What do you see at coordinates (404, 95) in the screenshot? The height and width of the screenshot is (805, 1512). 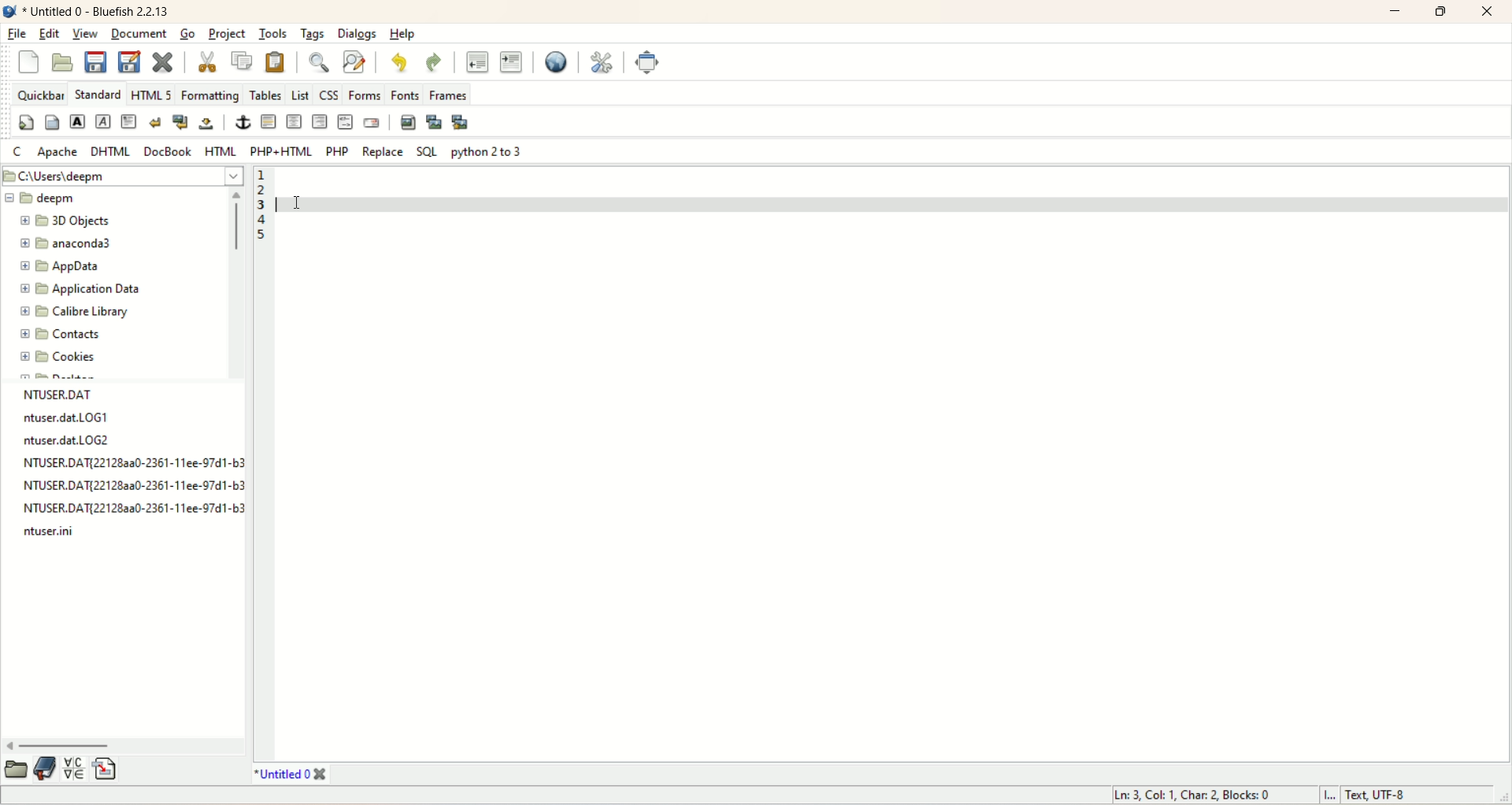 I see `fonts` at bounding box center [404, 95].